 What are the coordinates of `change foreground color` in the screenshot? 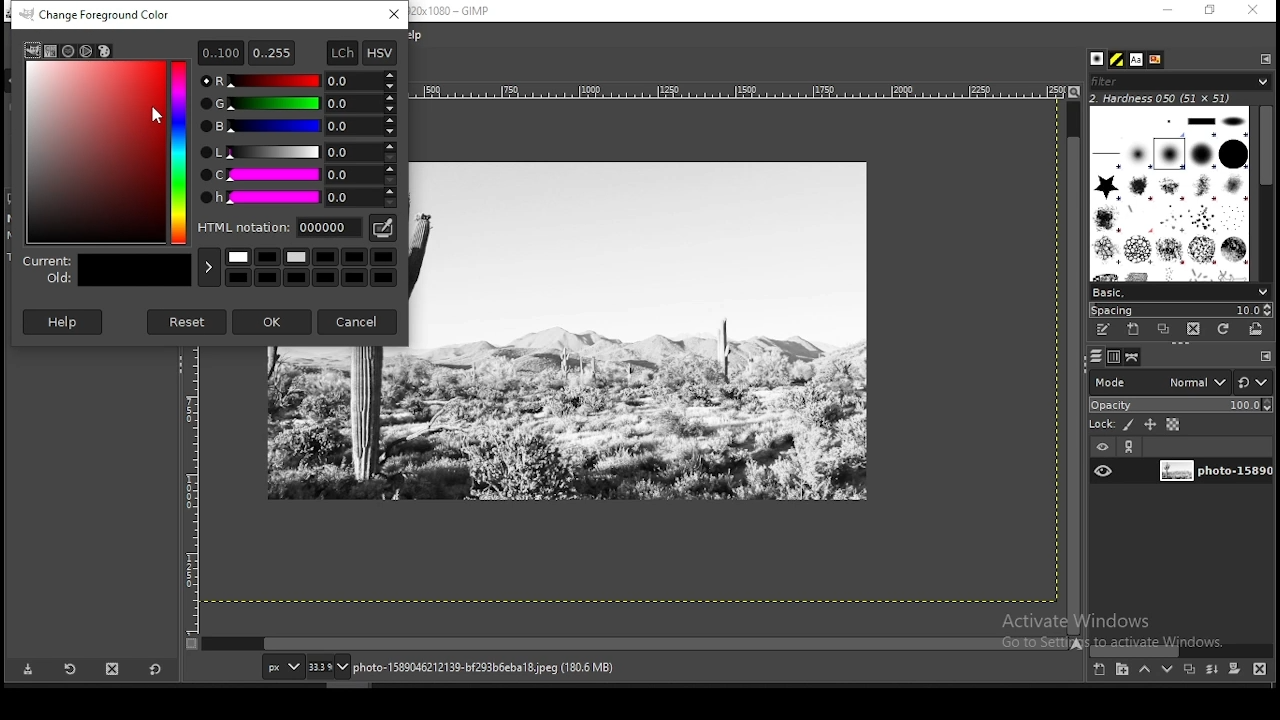 It's located at (96, 14).